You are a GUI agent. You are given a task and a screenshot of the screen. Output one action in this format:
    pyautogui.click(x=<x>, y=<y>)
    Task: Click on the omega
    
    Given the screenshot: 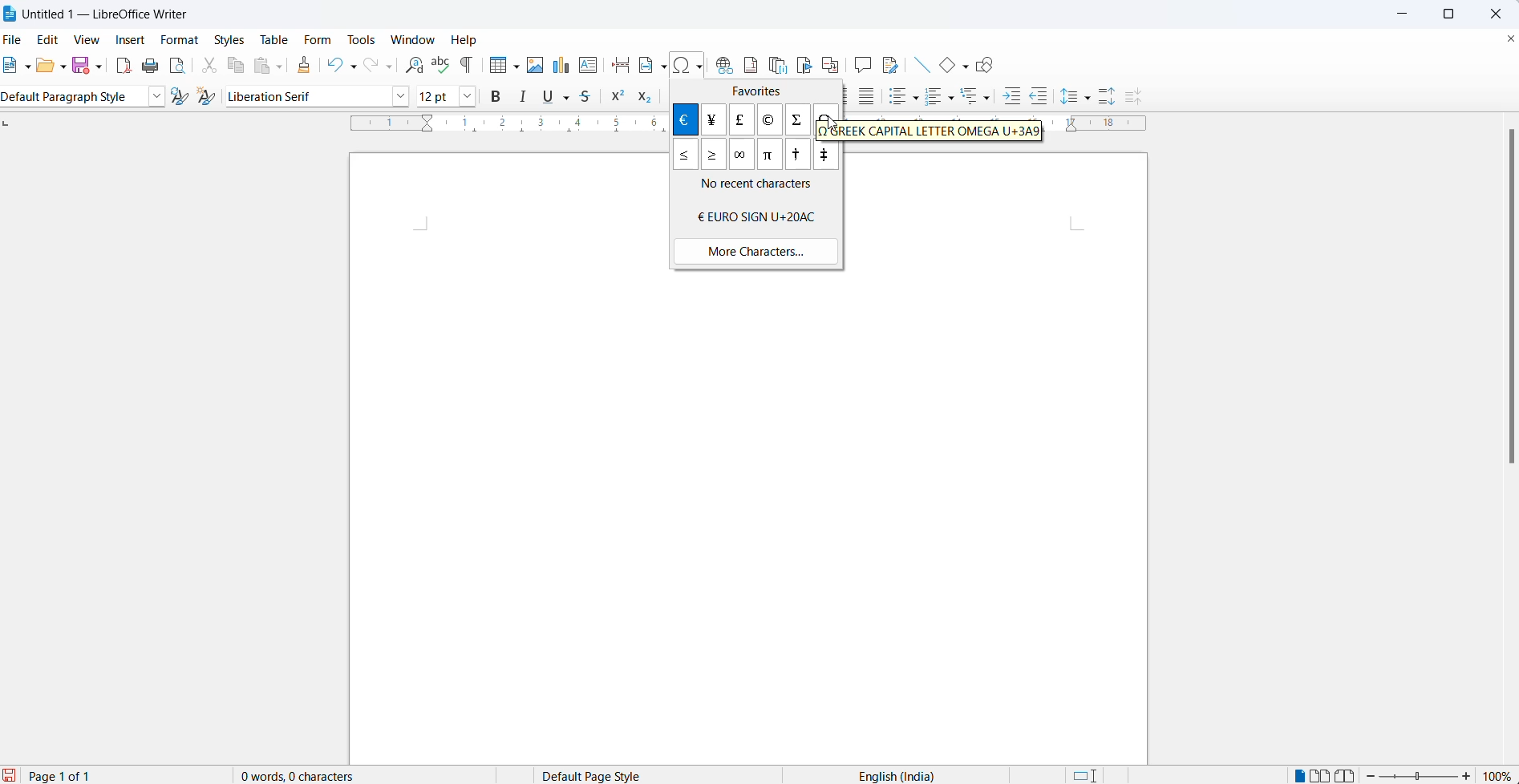 What is the action you would take?
    pyautogui.click(x=824, y=121)
    